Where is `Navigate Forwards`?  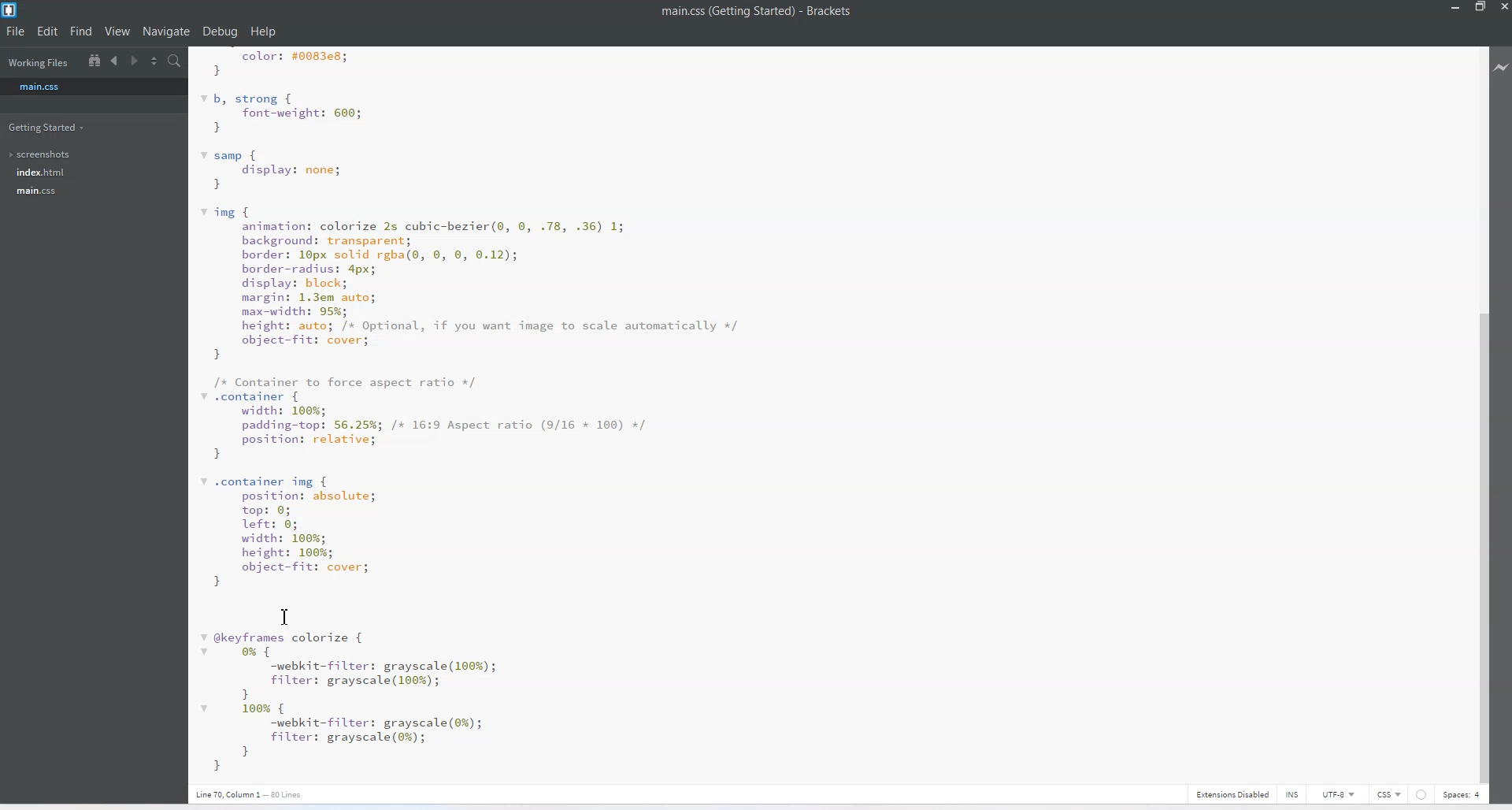
Navigate Forwards is located at coordinates (136, 61).